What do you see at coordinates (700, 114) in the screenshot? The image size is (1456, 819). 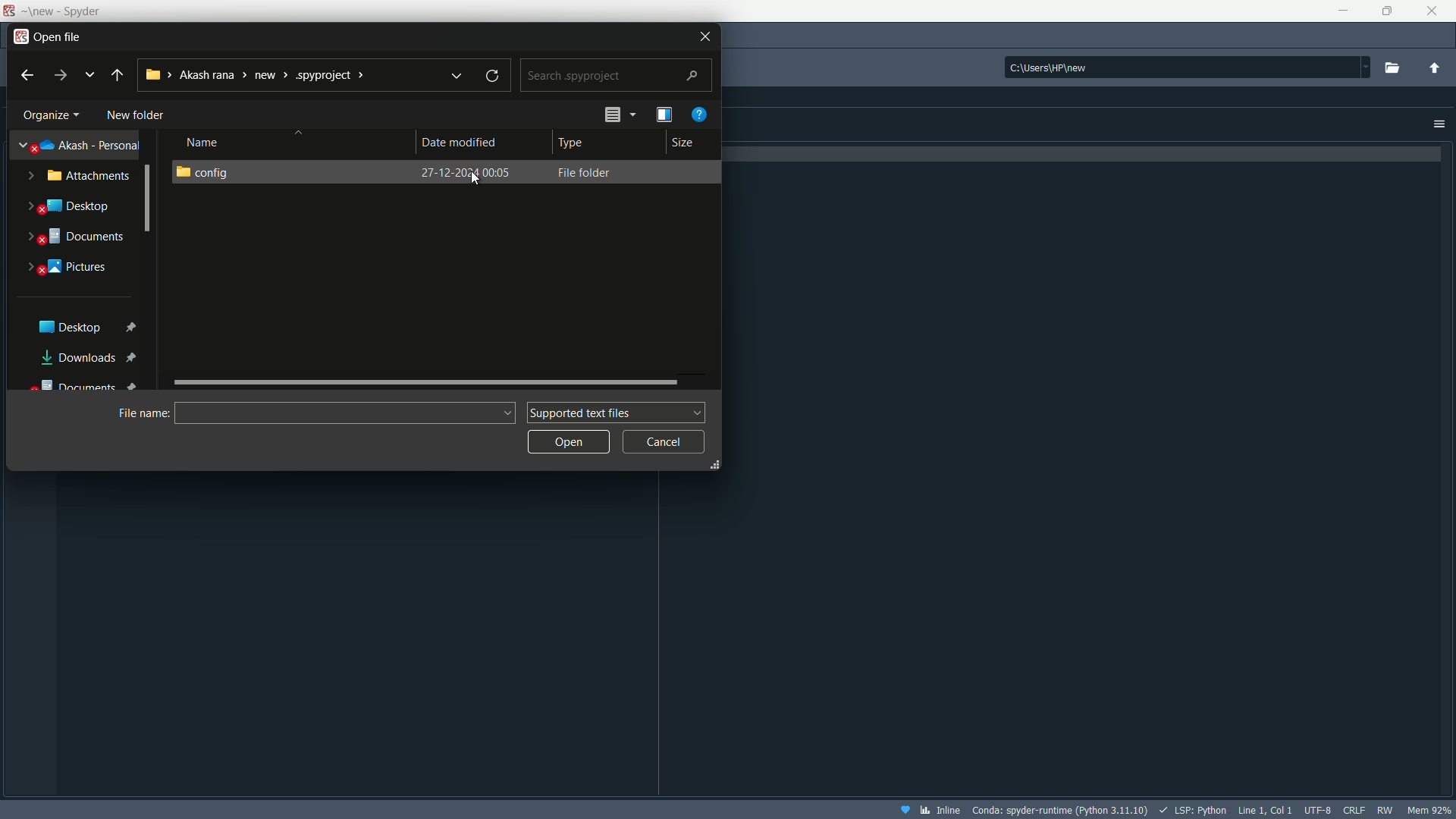 I see `get help` at bounding box center [700, 114].